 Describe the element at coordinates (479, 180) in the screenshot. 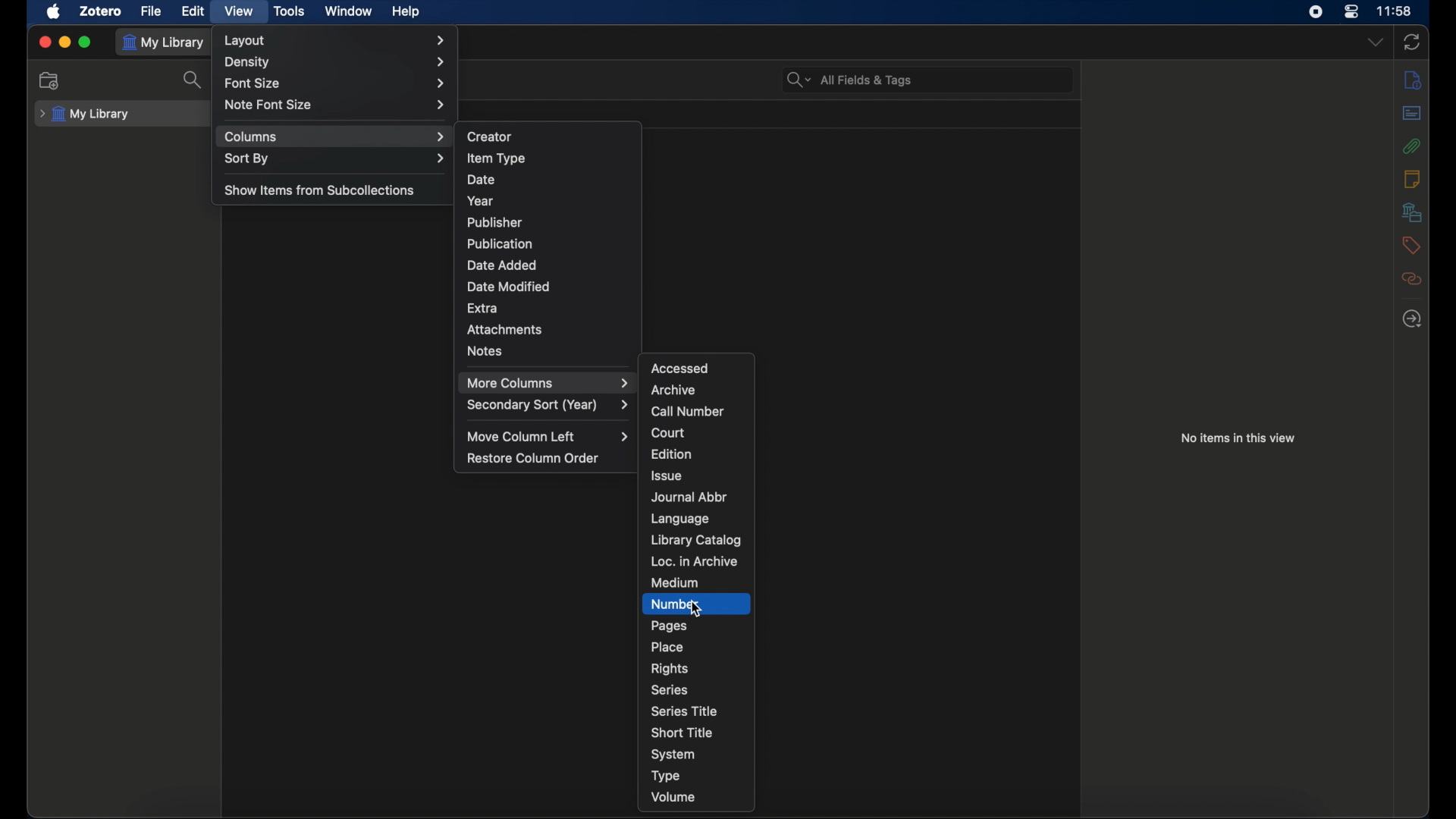

I see `date` at that location.